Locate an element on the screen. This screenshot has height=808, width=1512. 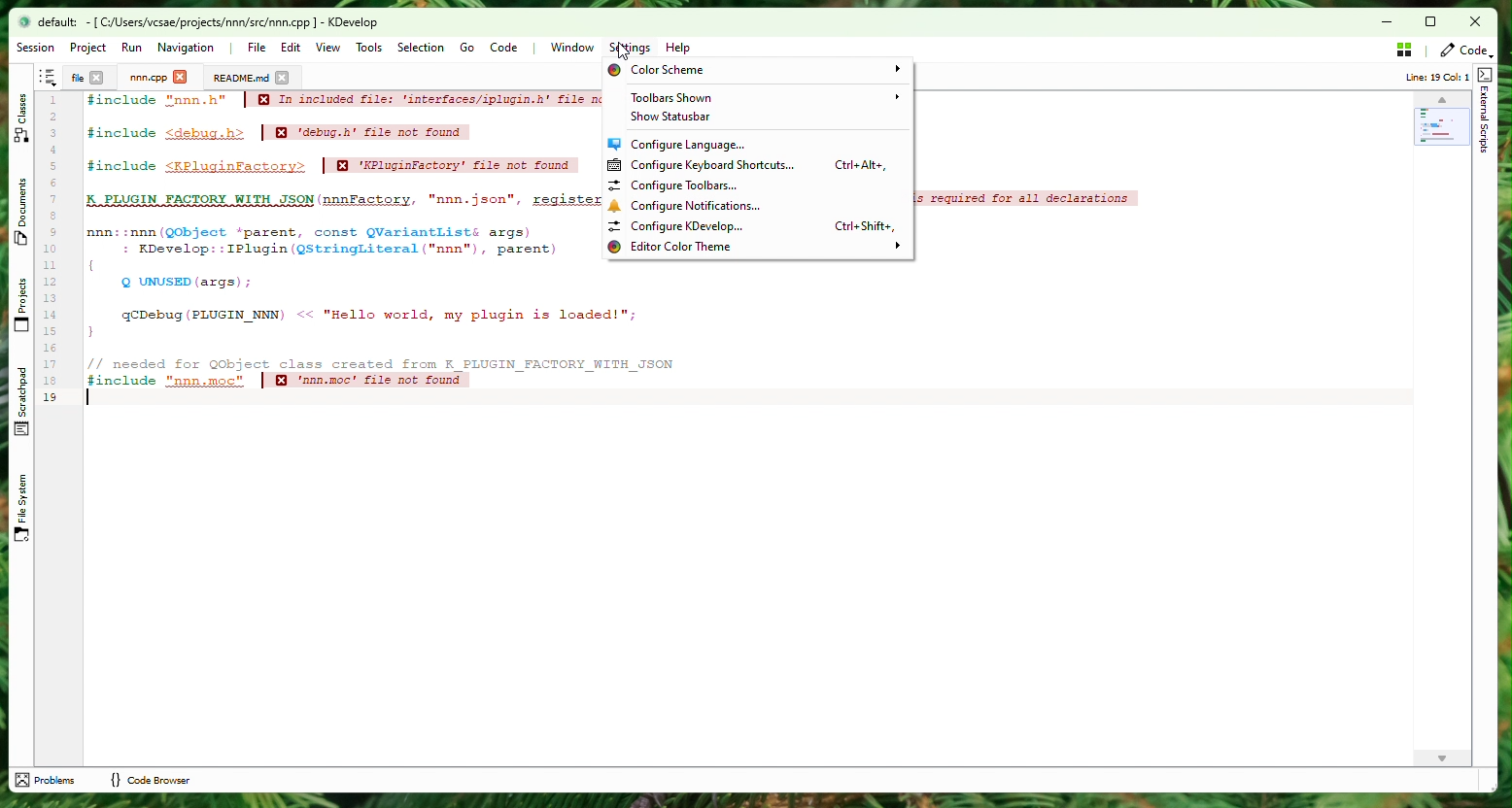
Settings is located at coordinates (629, 48).